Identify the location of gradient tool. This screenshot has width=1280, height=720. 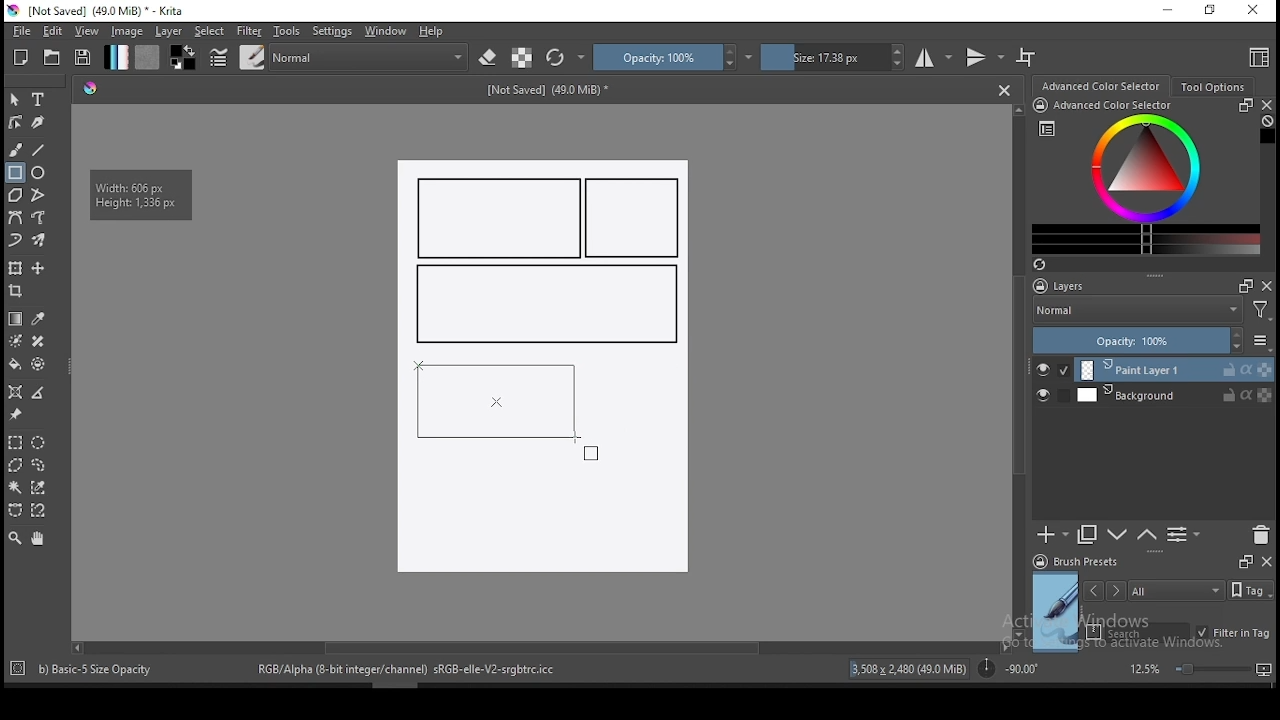
(16, 319).